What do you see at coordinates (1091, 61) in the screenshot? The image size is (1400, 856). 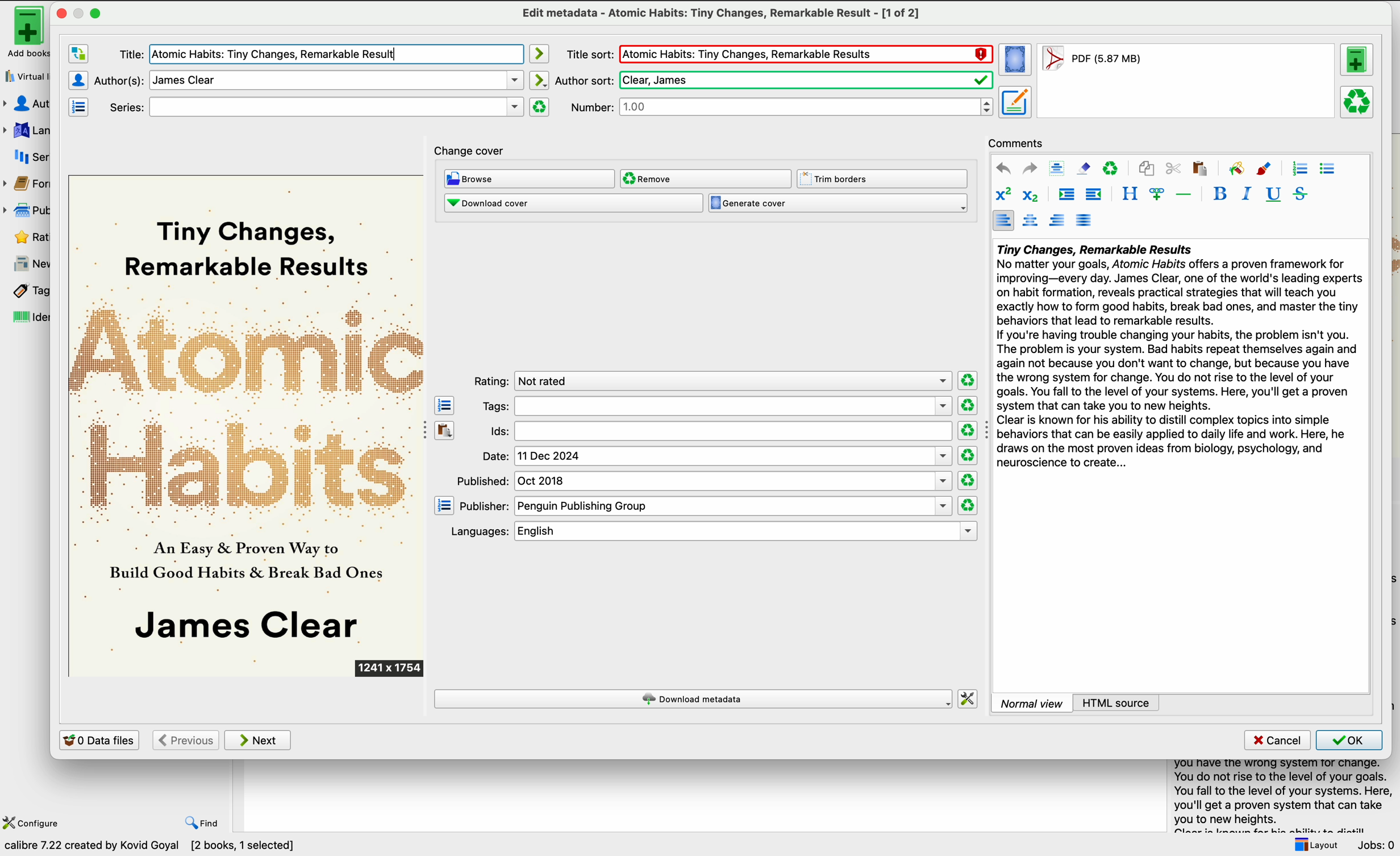 I see `format book` at bounding box center [1091, 61].